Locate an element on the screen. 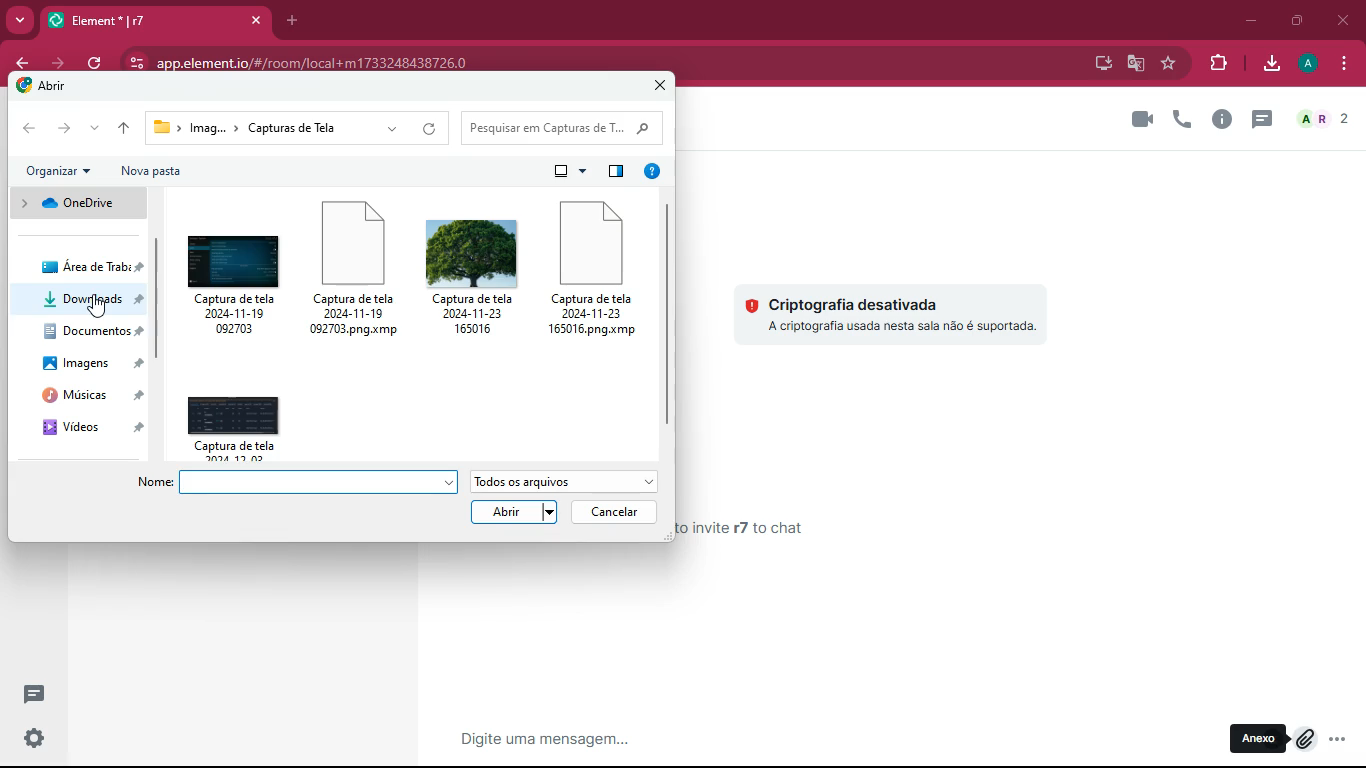 Image resolution: width=1366 pixels, height=768 pixels. minimize is located at coordinates (1245, 20).